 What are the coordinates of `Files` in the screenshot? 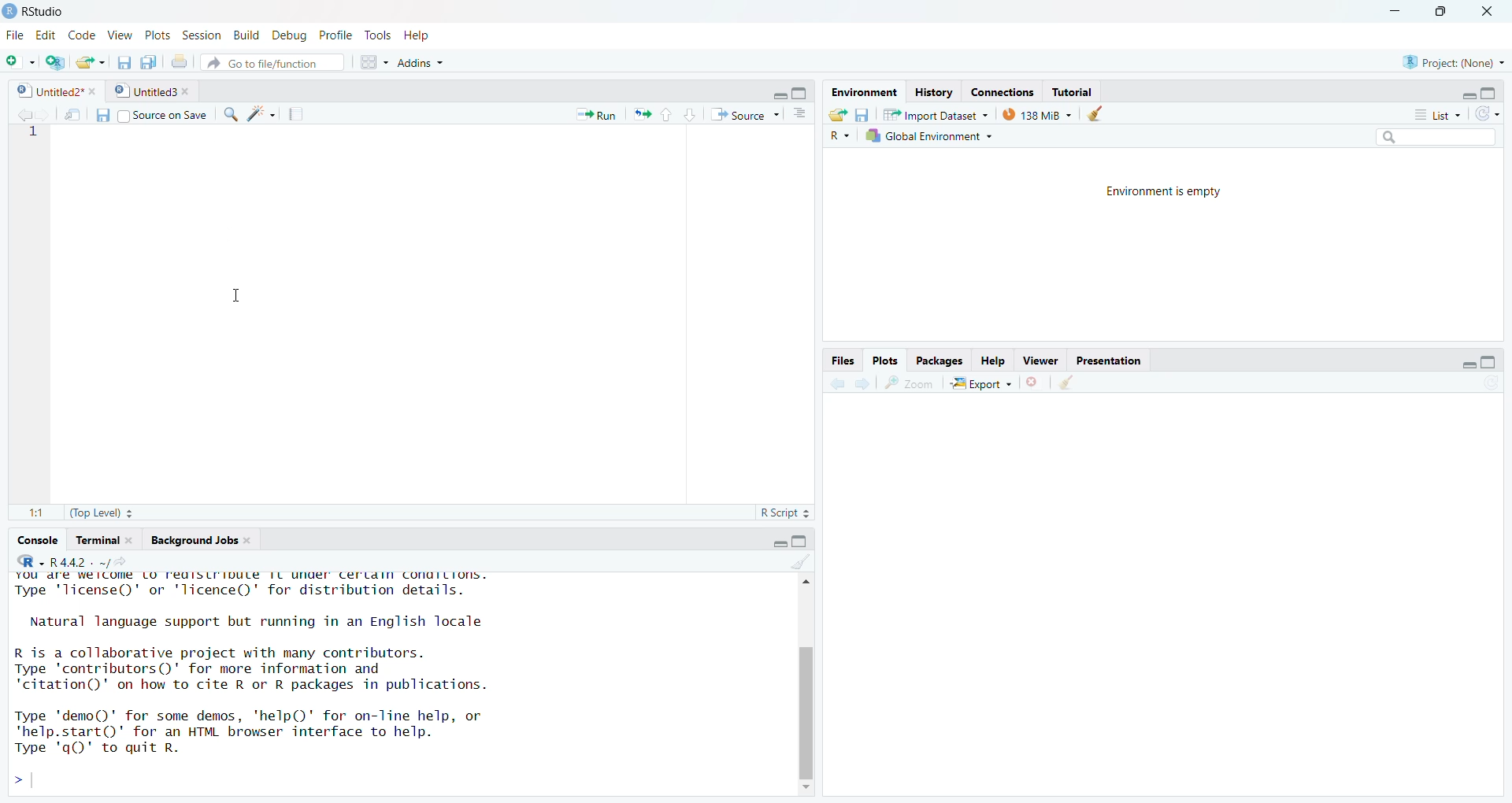 It's located at (839, 358).